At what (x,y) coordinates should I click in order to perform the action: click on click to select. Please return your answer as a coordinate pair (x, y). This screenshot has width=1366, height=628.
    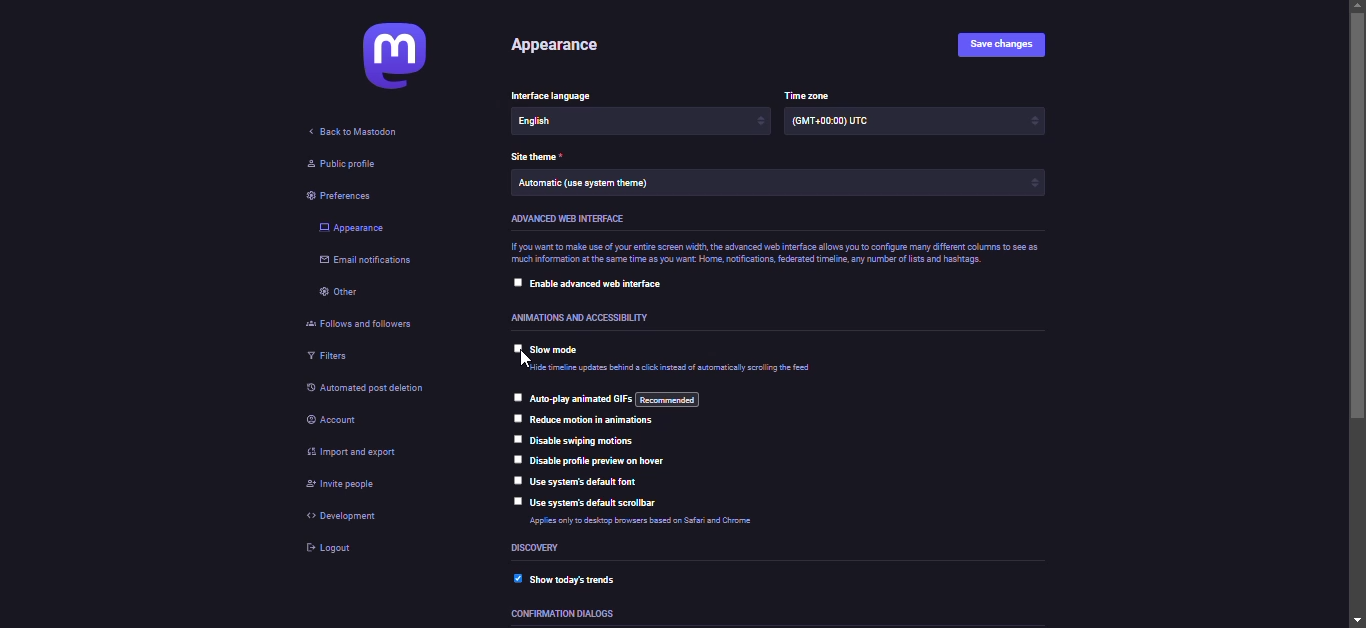
    Looking at the image, I should click on (518, 478).